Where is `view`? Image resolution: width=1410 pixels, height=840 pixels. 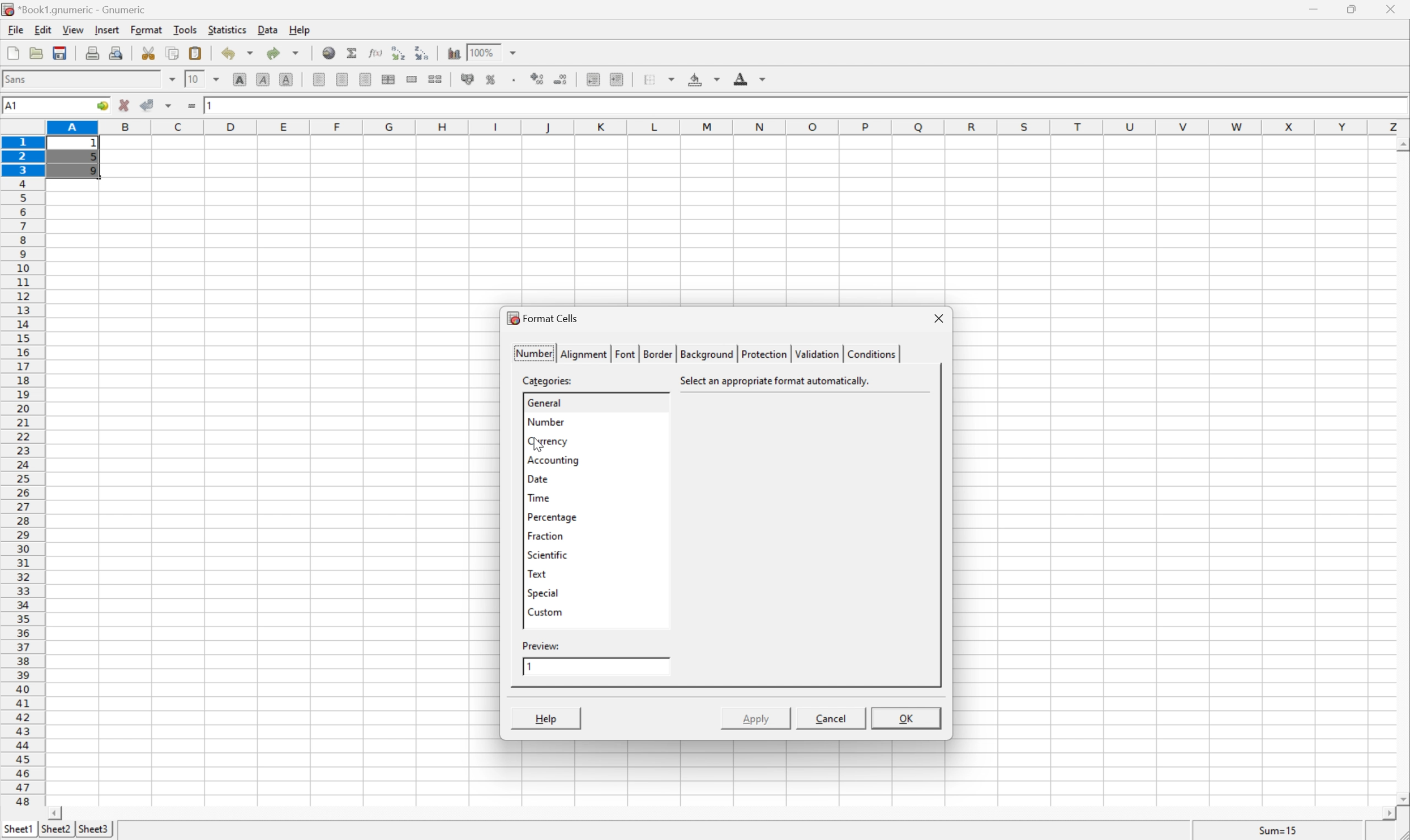
view is located at coordinates (74, 29).